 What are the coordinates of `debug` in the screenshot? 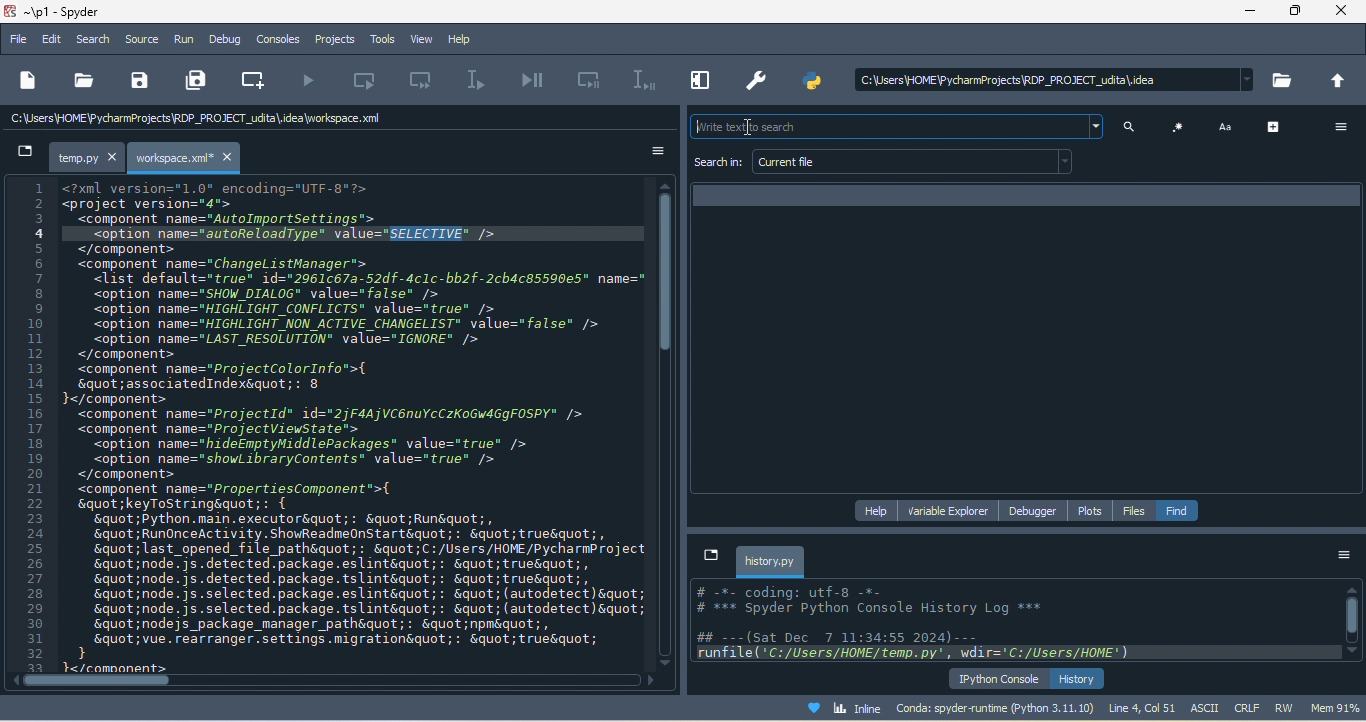 It's located at (226, 39).